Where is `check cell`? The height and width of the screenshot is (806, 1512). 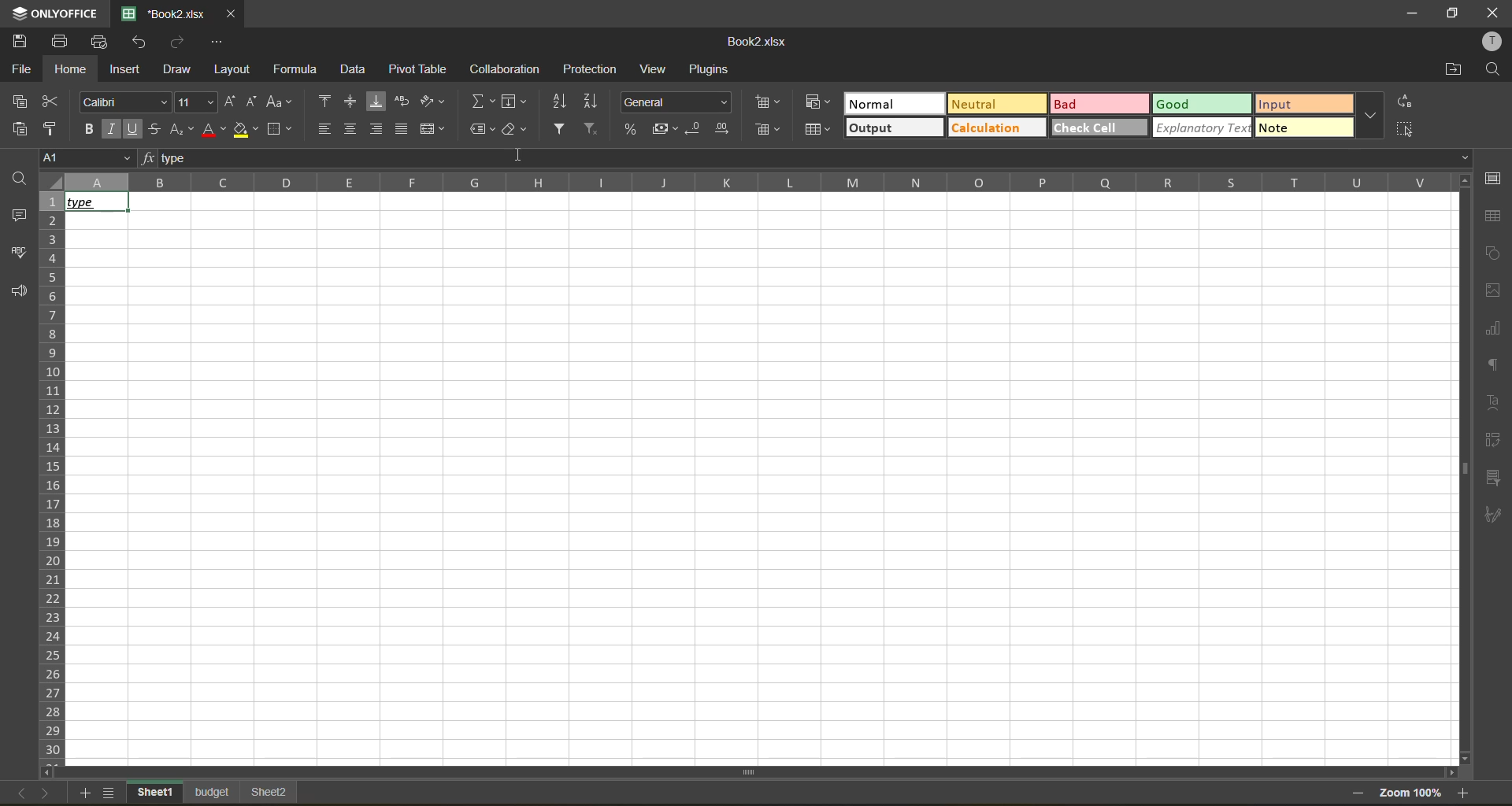
check cell is located at coordinates (1099, 128).